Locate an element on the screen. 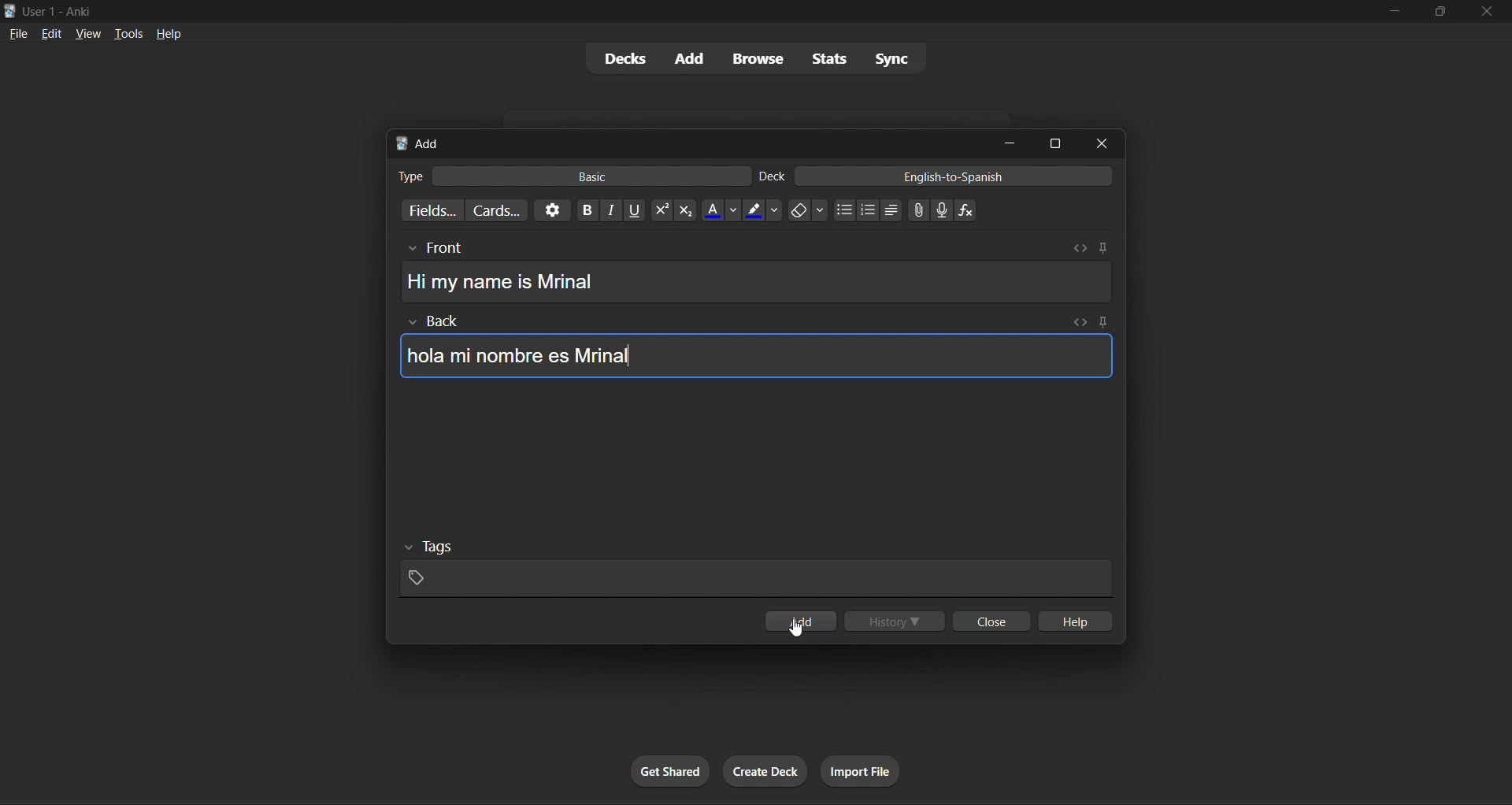 Image resolution: width=1512 pixels, height=805 pixels. maximize is located at coordinates (1054, 143).